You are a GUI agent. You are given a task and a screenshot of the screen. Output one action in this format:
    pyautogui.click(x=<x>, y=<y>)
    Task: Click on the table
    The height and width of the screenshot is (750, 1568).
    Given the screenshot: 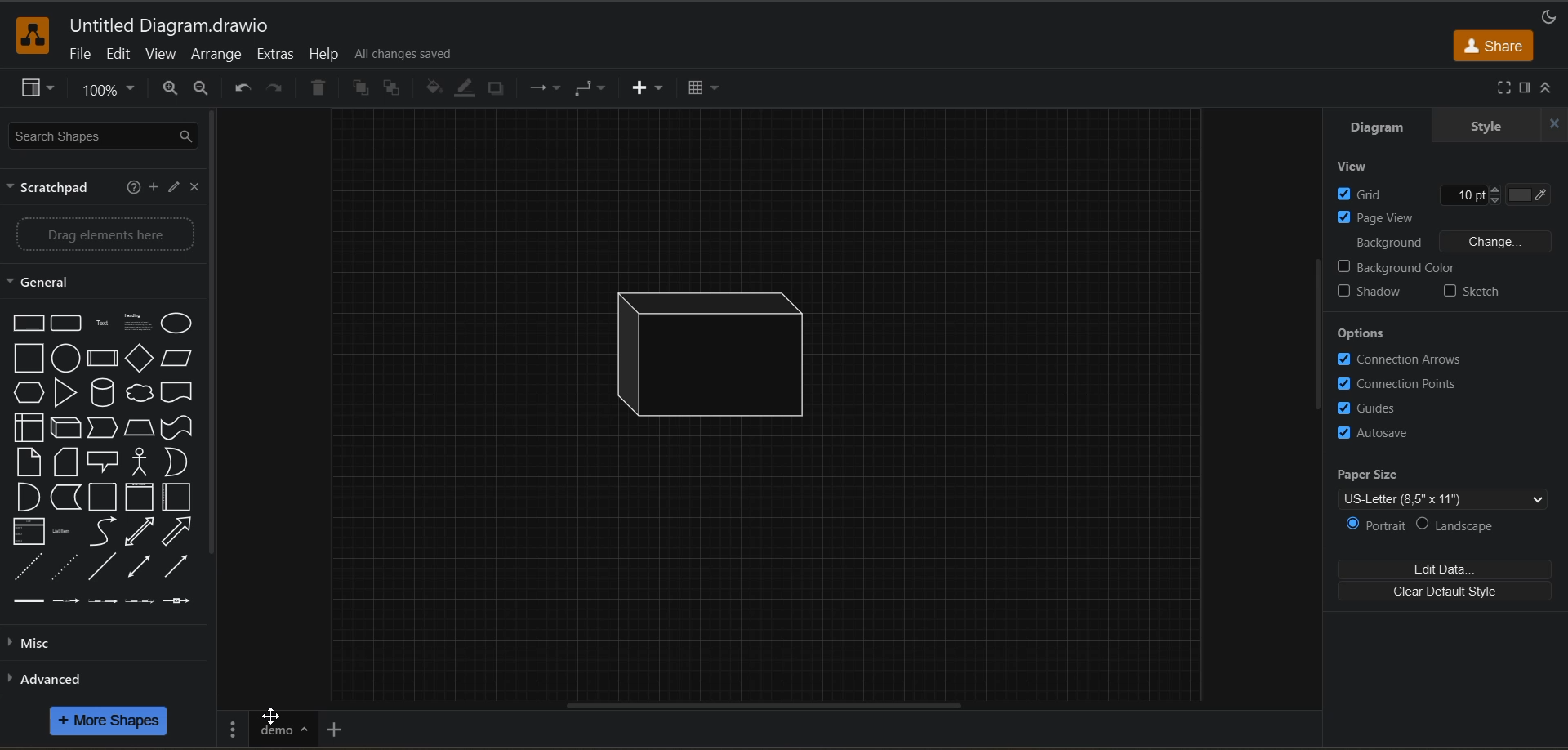 What is the action you would take?
    pyautogui.click(x=704, y=87)
    